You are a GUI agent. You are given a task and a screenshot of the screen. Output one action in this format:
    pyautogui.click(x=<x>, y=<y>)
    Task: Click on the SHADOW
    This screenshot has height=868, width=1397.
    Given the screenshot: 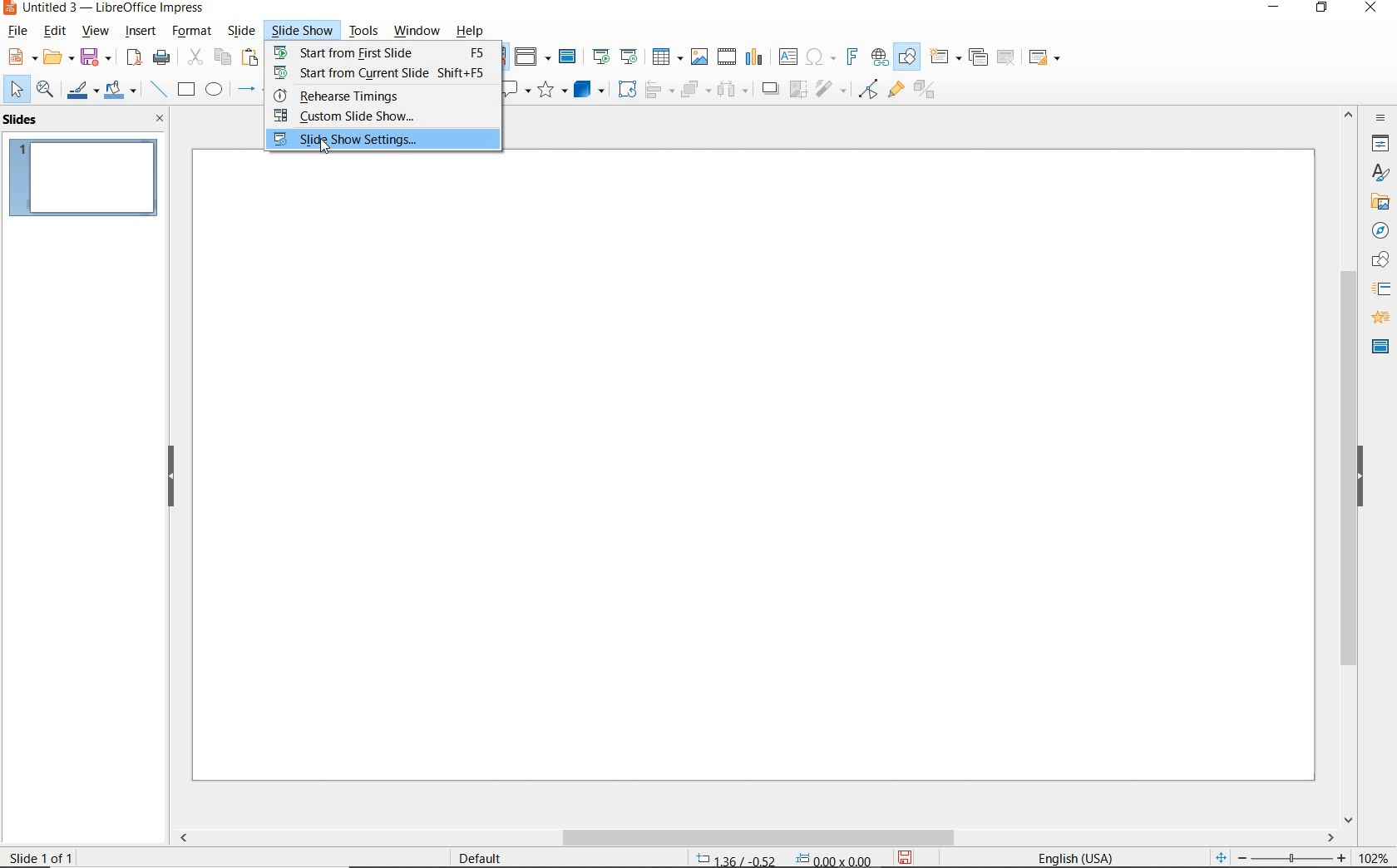 What is the action you would take?
    pyautogui.click(x=769, y=89)
    